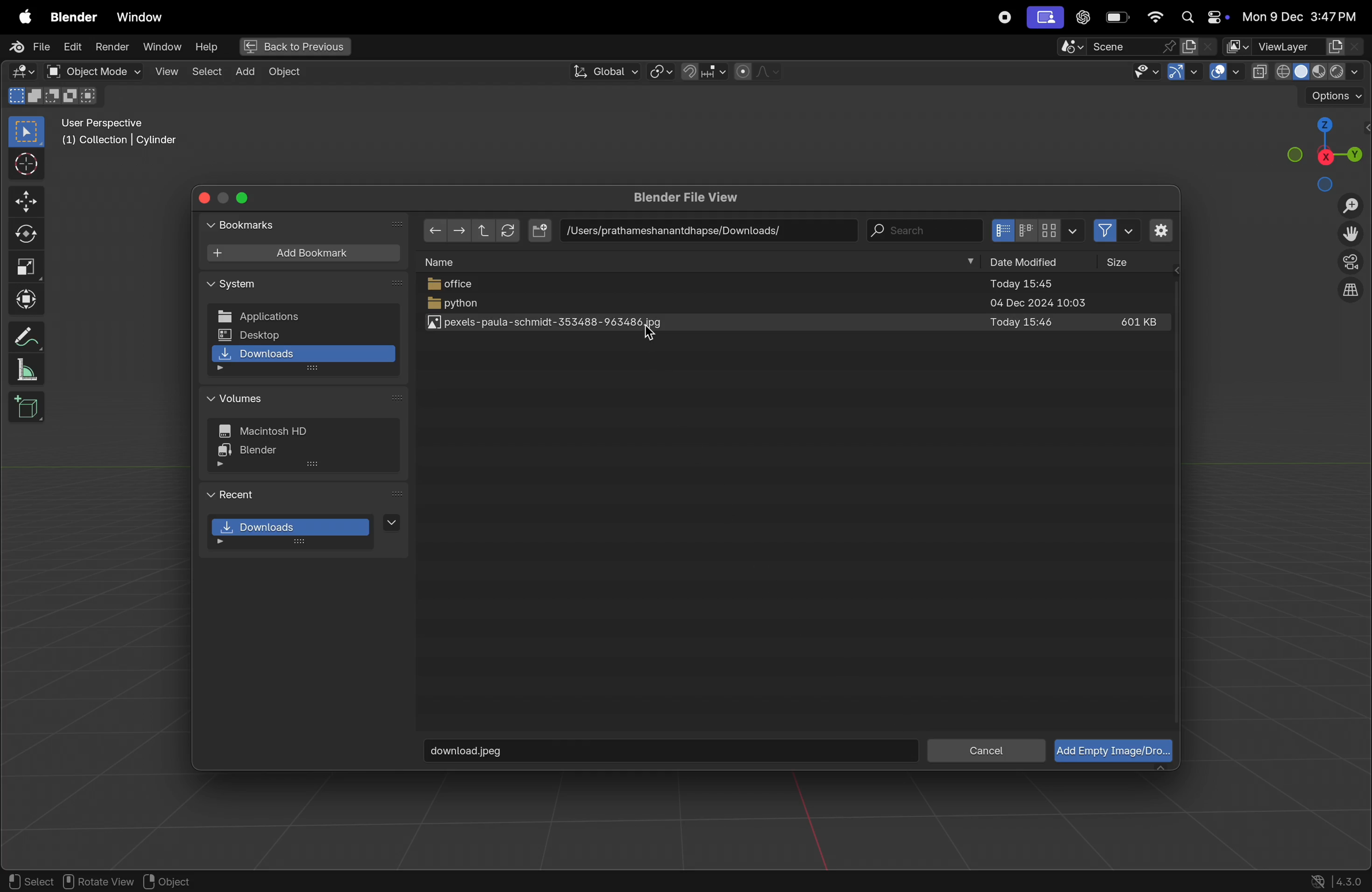  I want to click on python file, so click(797, 305).